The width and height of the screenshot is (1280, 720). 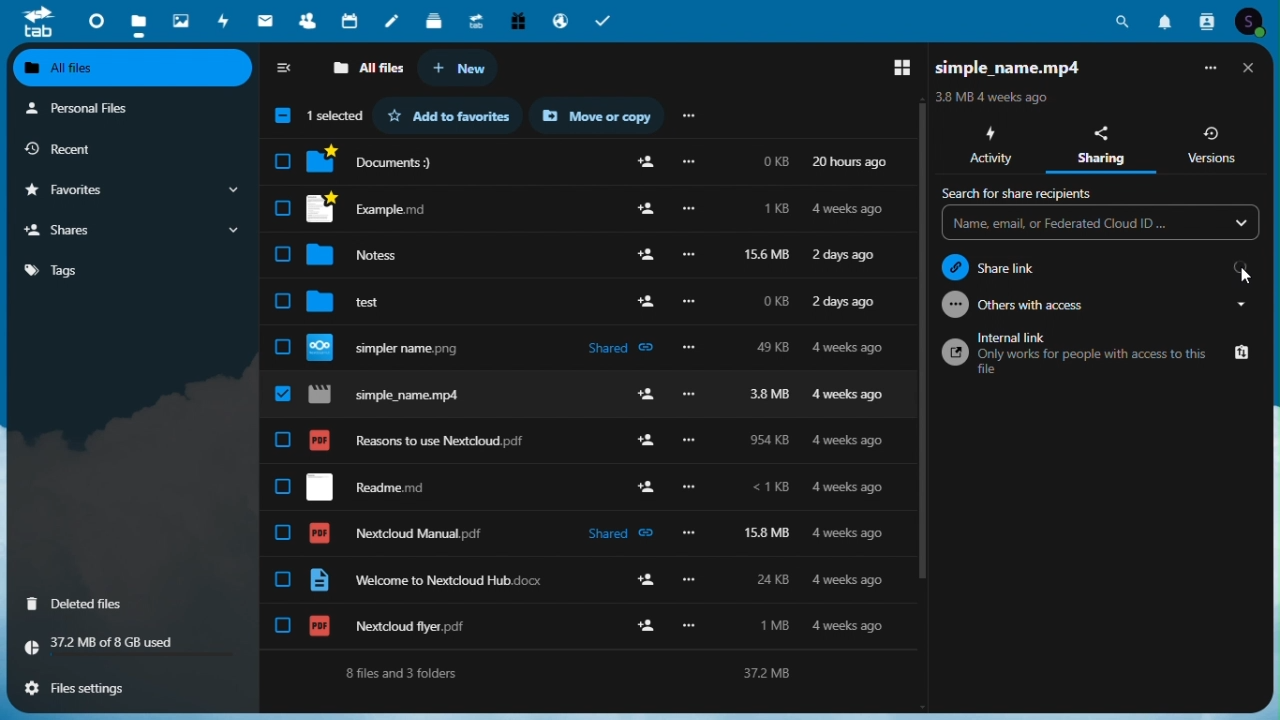 What do you see at coordinates (95, 18) in the screenshot?
I see `Dashboard` at bounding box center [95, 18].